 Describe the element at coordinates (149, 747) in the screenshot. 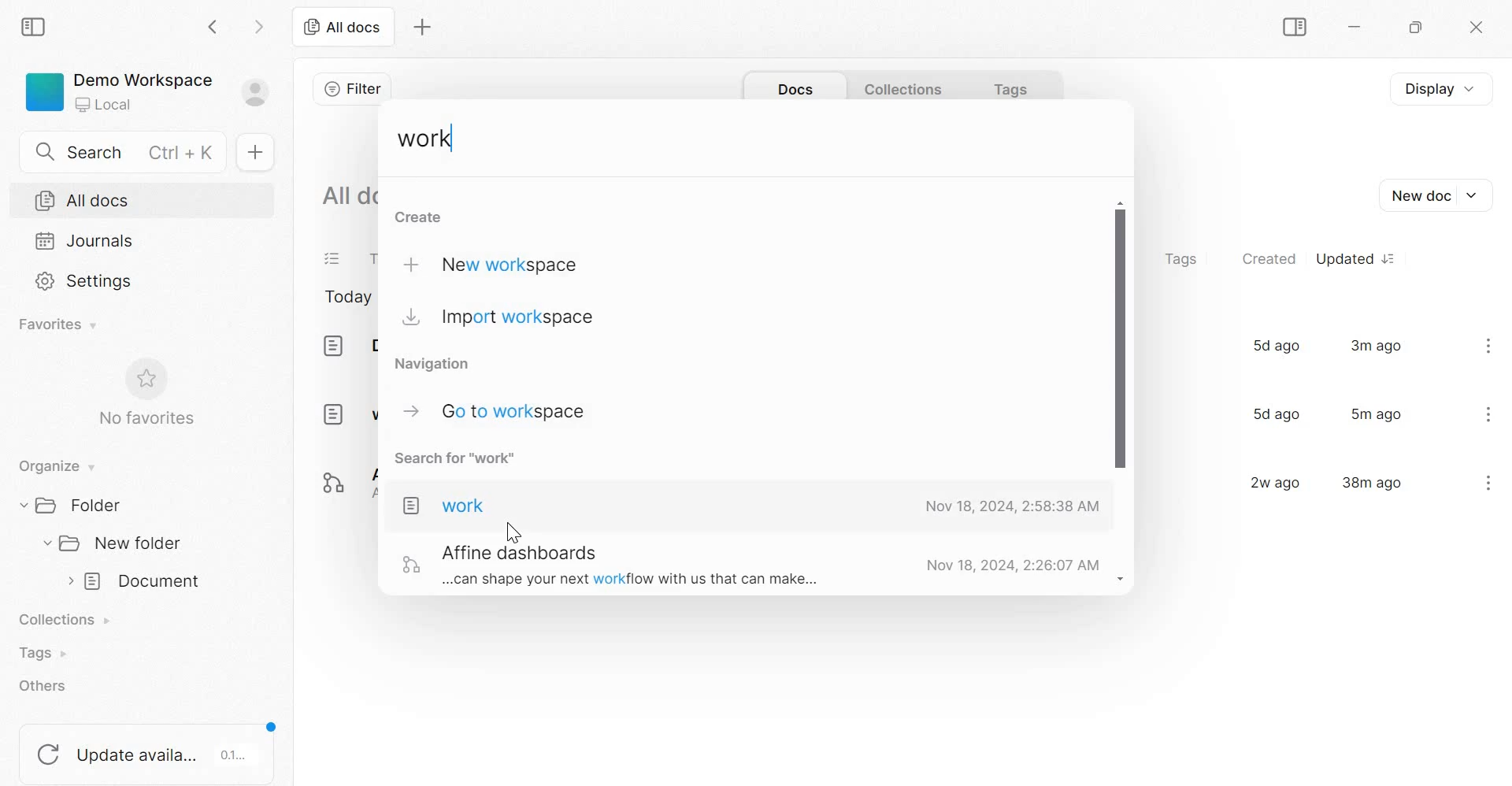

I see `update available` at that location.